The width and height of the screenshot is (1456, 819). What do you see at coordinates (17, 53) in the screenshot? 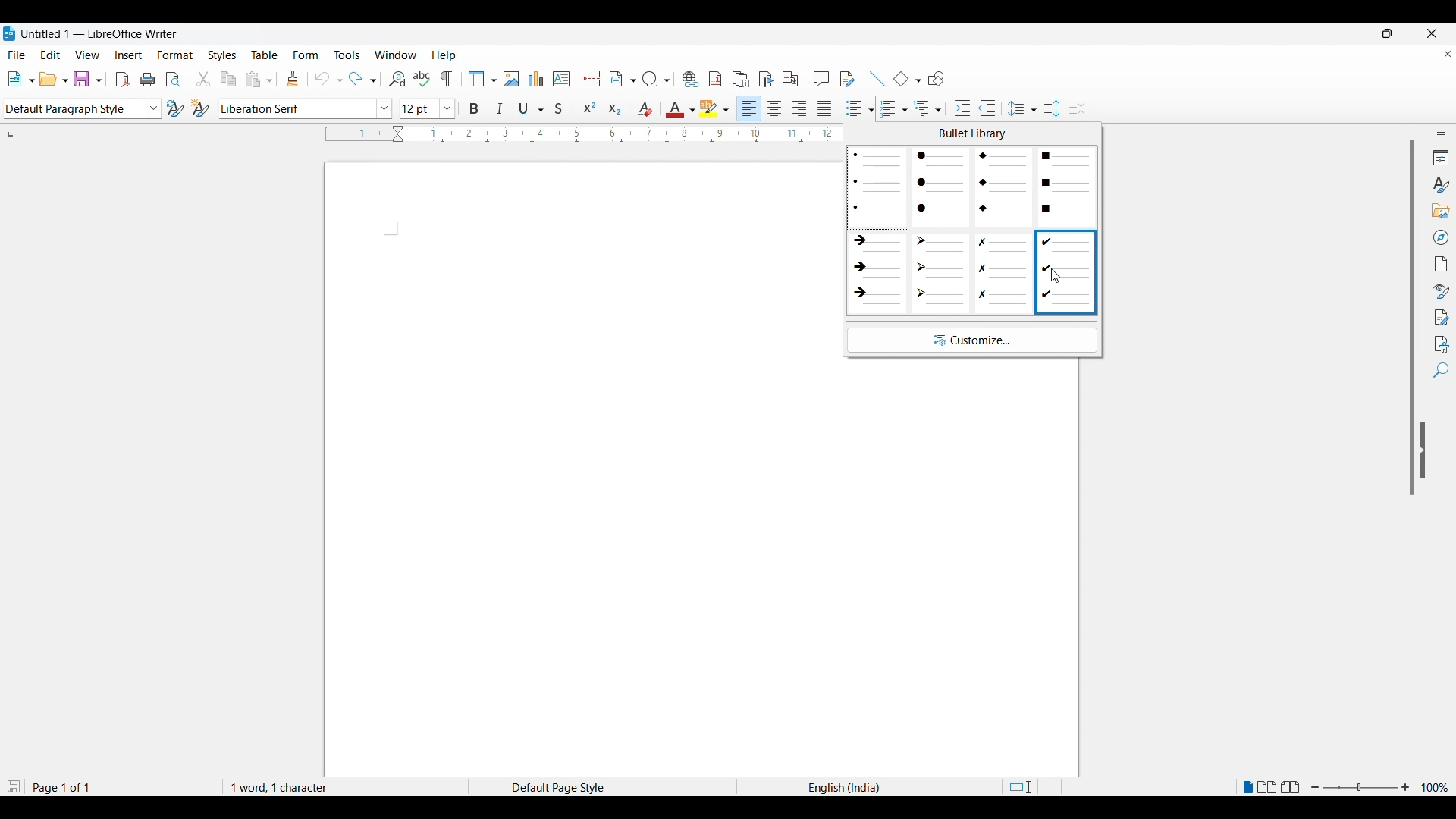
I see `File` at bounding box center [17, 53].